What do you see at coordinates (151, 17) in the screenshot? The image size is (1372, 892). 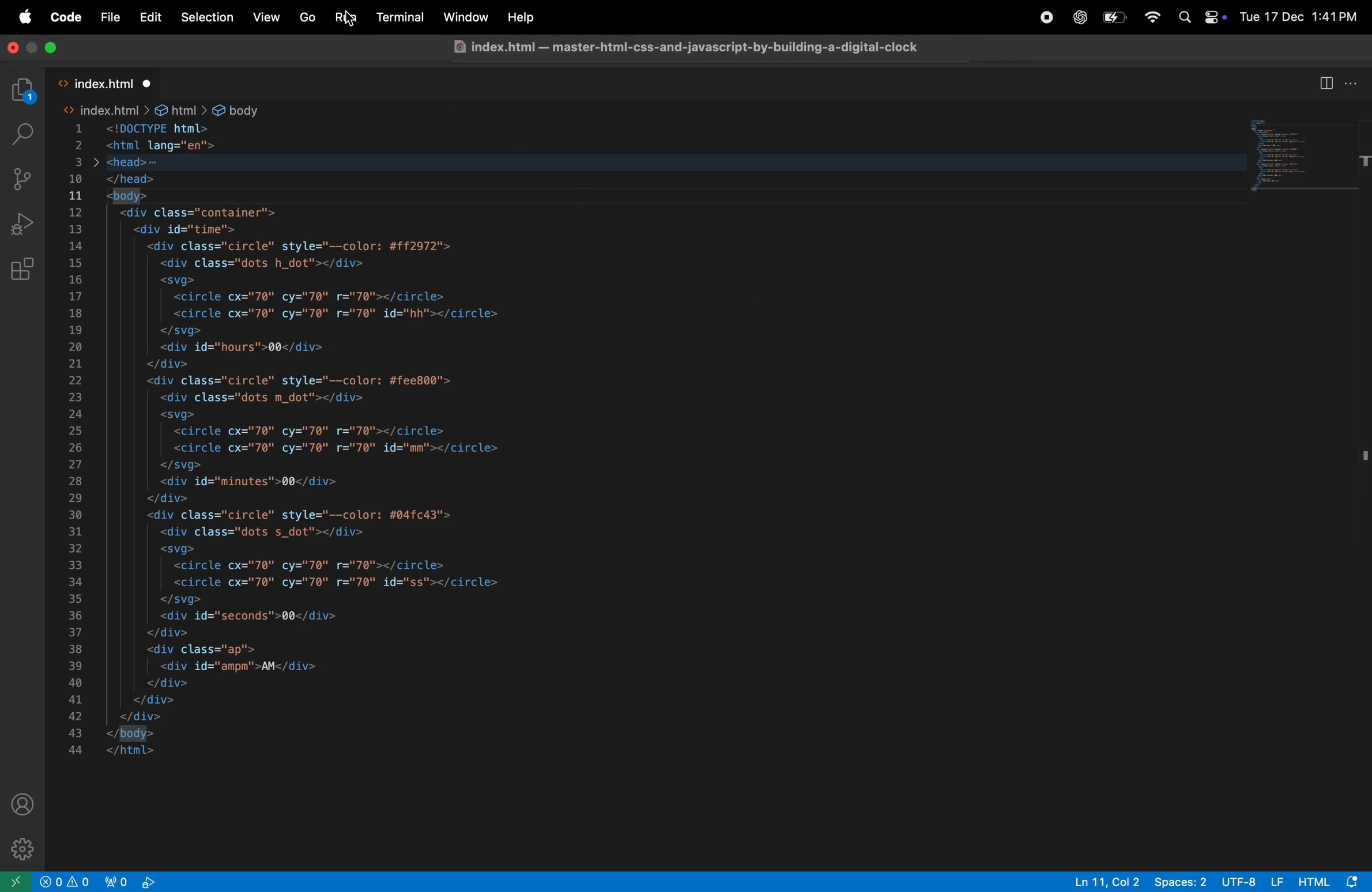 I see `Edit` at bounding box center [151, 17].